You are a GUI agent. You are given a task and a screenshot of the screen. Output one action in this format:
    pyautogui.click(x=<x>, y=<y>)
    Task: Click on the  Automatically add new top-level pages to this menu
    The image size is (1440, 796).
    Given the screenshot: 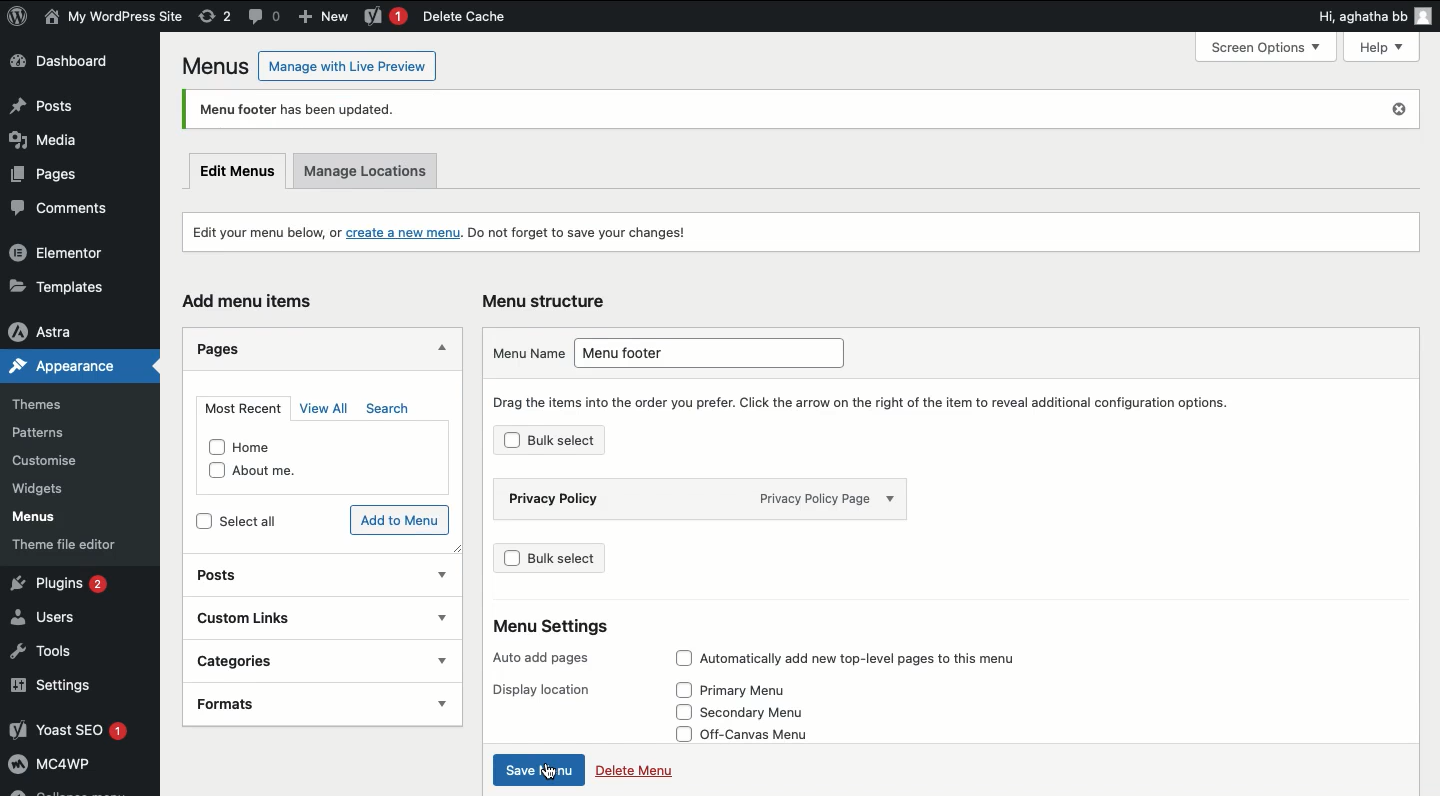 What is the action you would take?
    pyautogui.click(x=884, y=661)
    